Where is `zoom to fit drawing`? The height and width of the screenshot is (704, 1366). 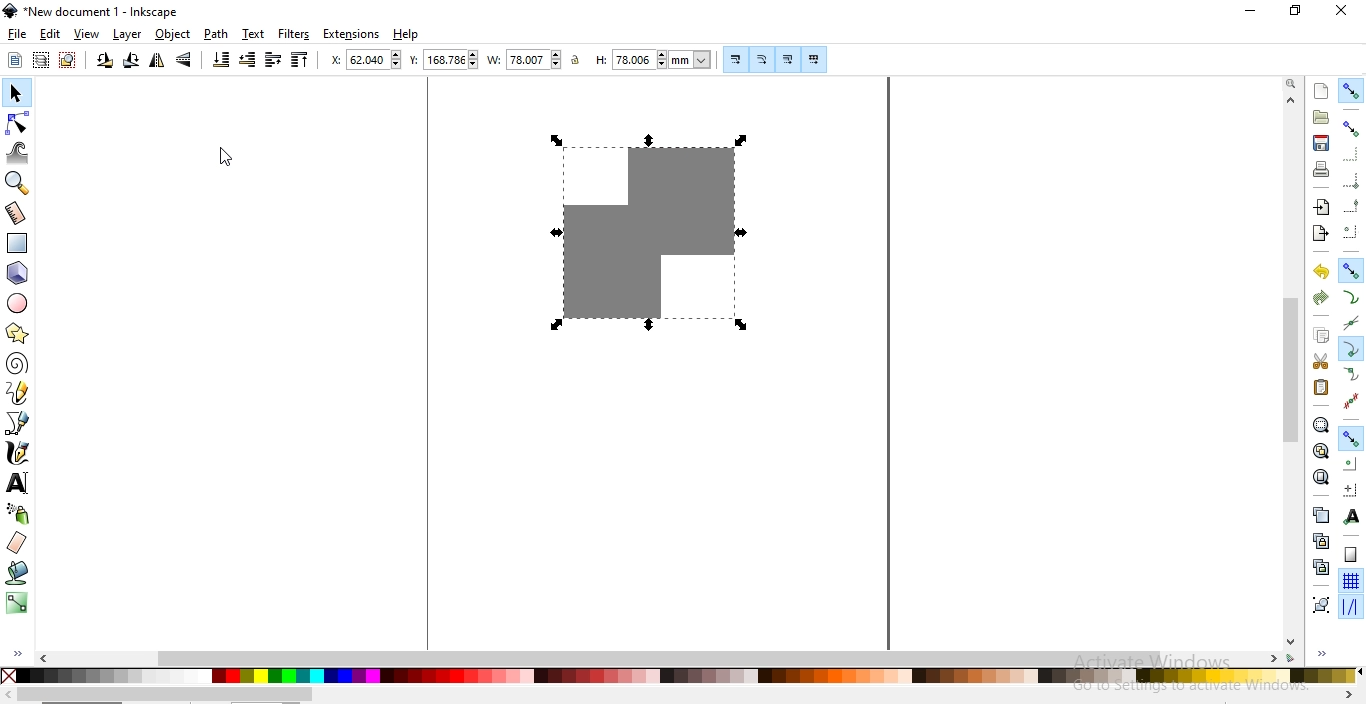
zoom to fit drawing is located at coordinates (1320, 450).